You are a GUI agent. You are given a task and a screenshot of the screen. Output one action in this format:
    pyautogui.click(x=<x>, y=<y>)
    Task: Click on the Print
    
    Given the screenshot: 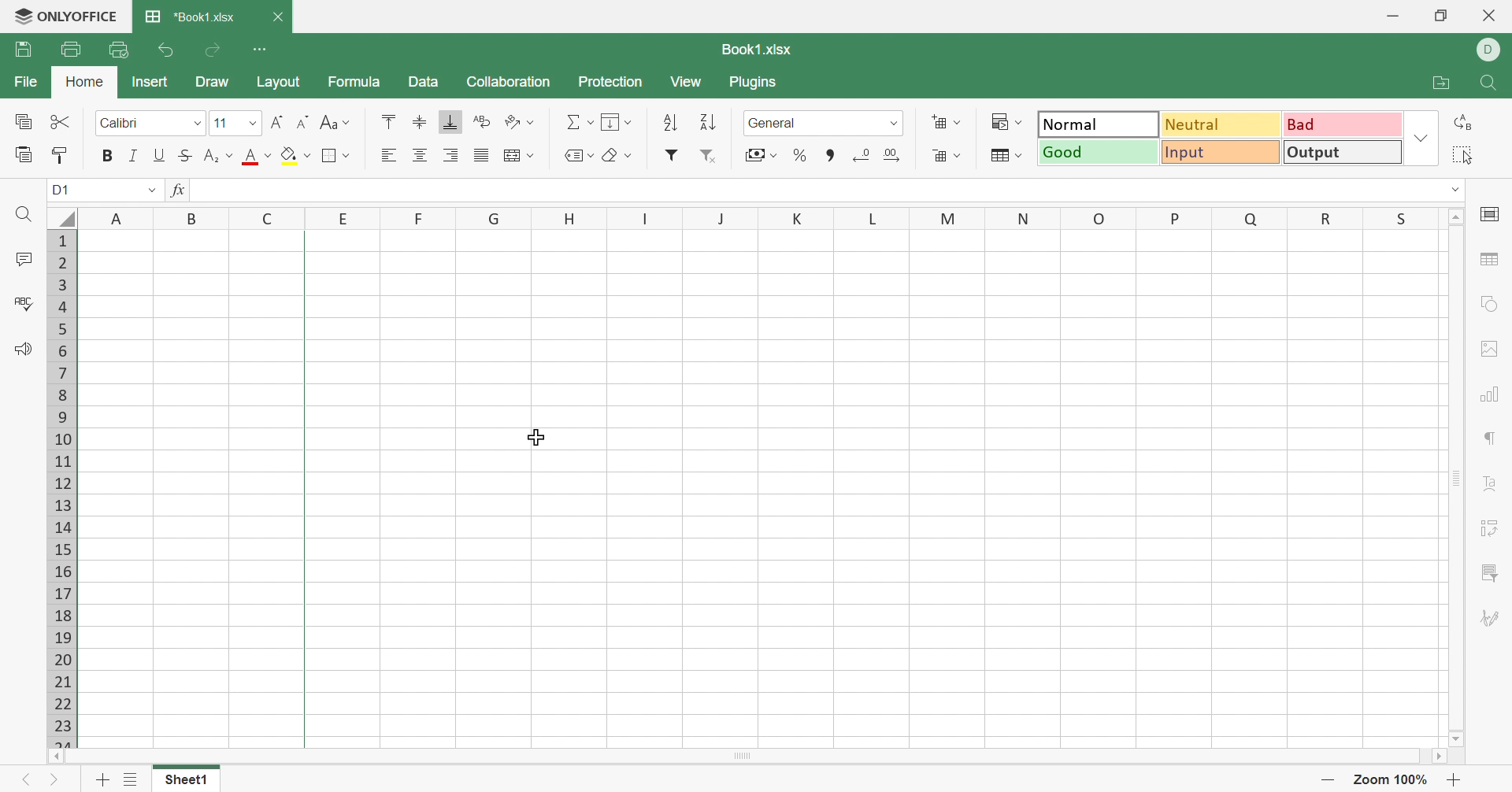 What is the action you would take?
    pyautogui.click(x=73, y=49)
    